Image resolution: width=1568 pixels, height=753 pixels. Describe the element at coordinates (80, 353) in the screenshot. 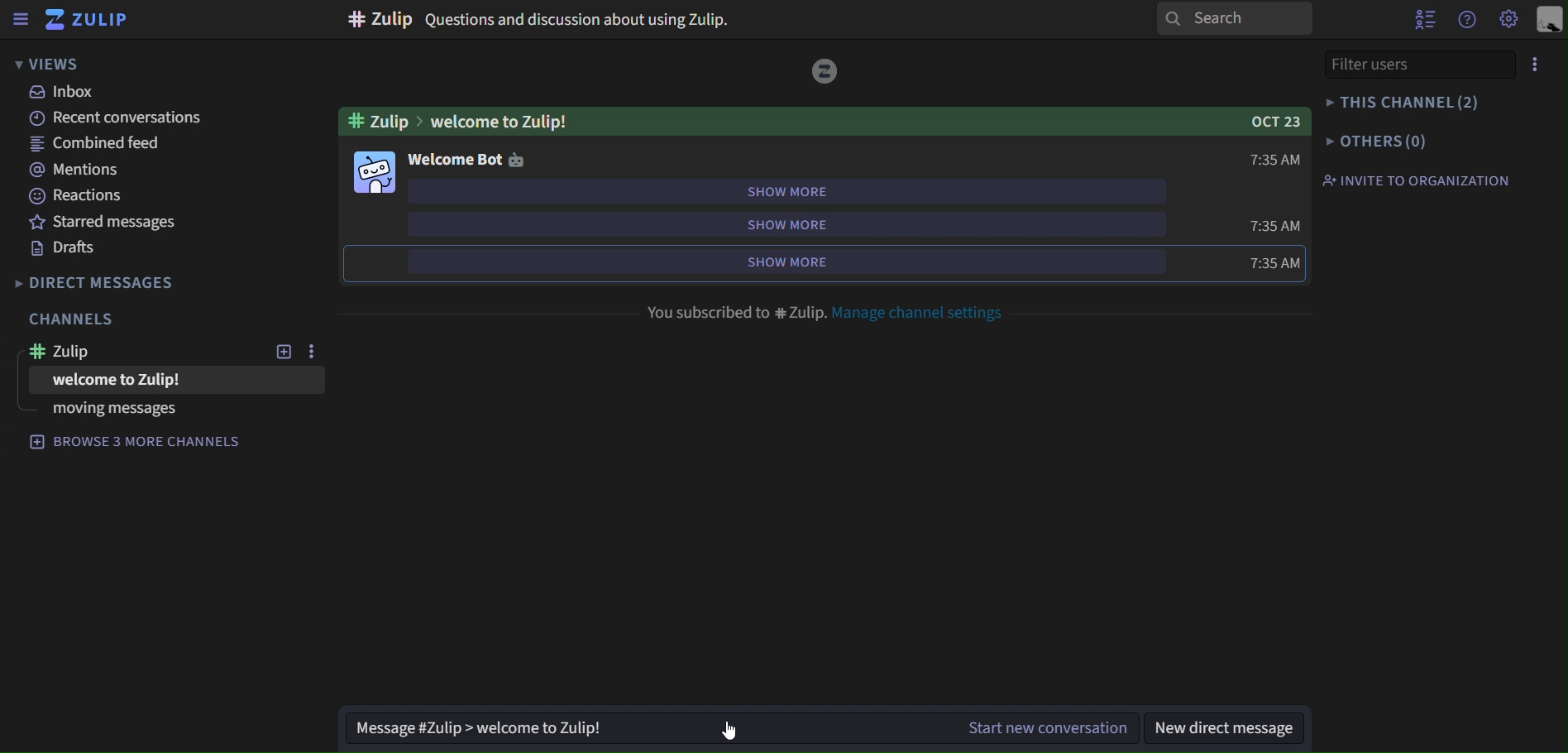

I see `# Zulip` at that location.